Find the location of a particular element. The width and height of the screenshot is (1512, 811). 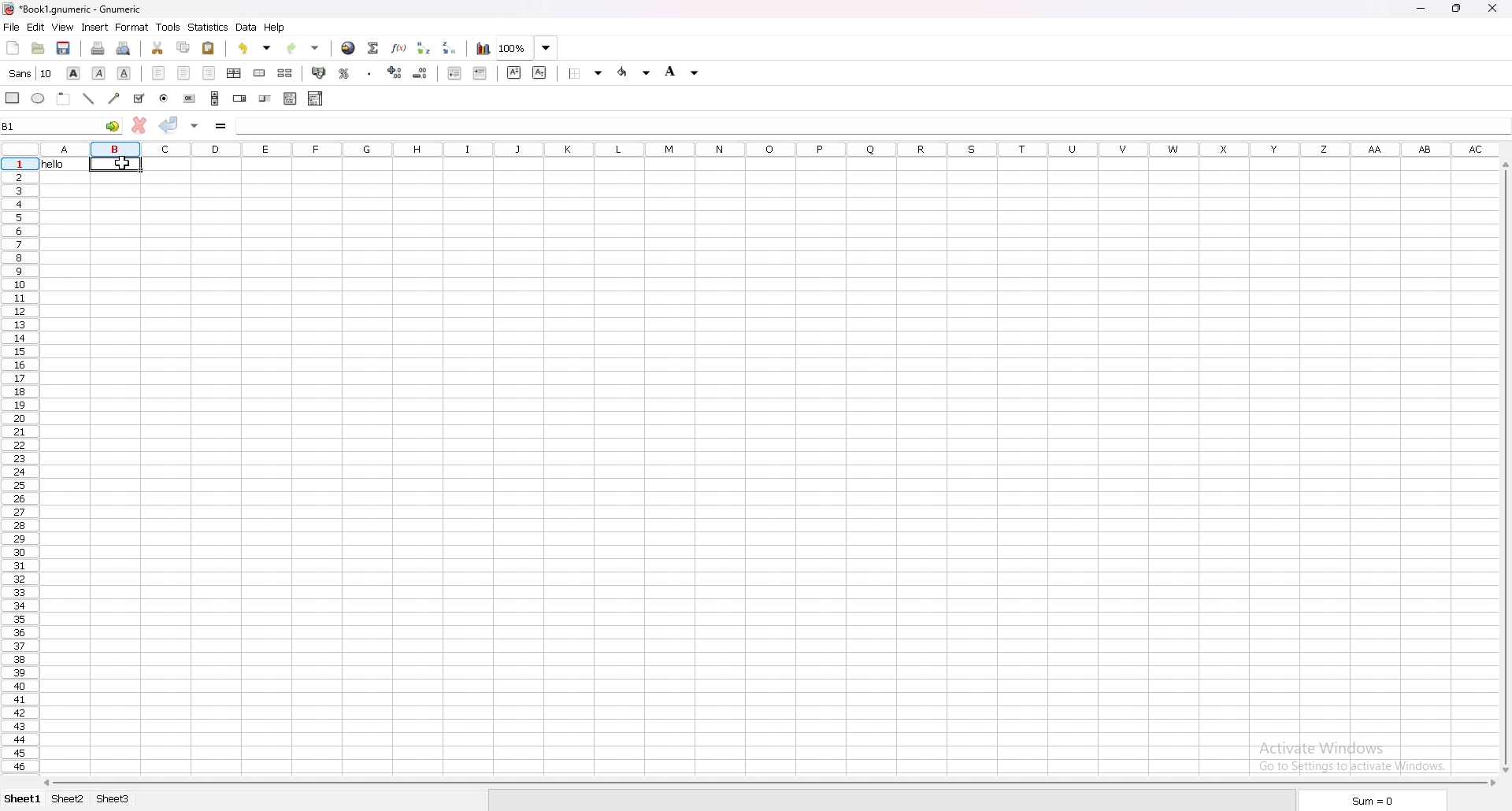

decrease decimal number is located at coordinates (421, 72).